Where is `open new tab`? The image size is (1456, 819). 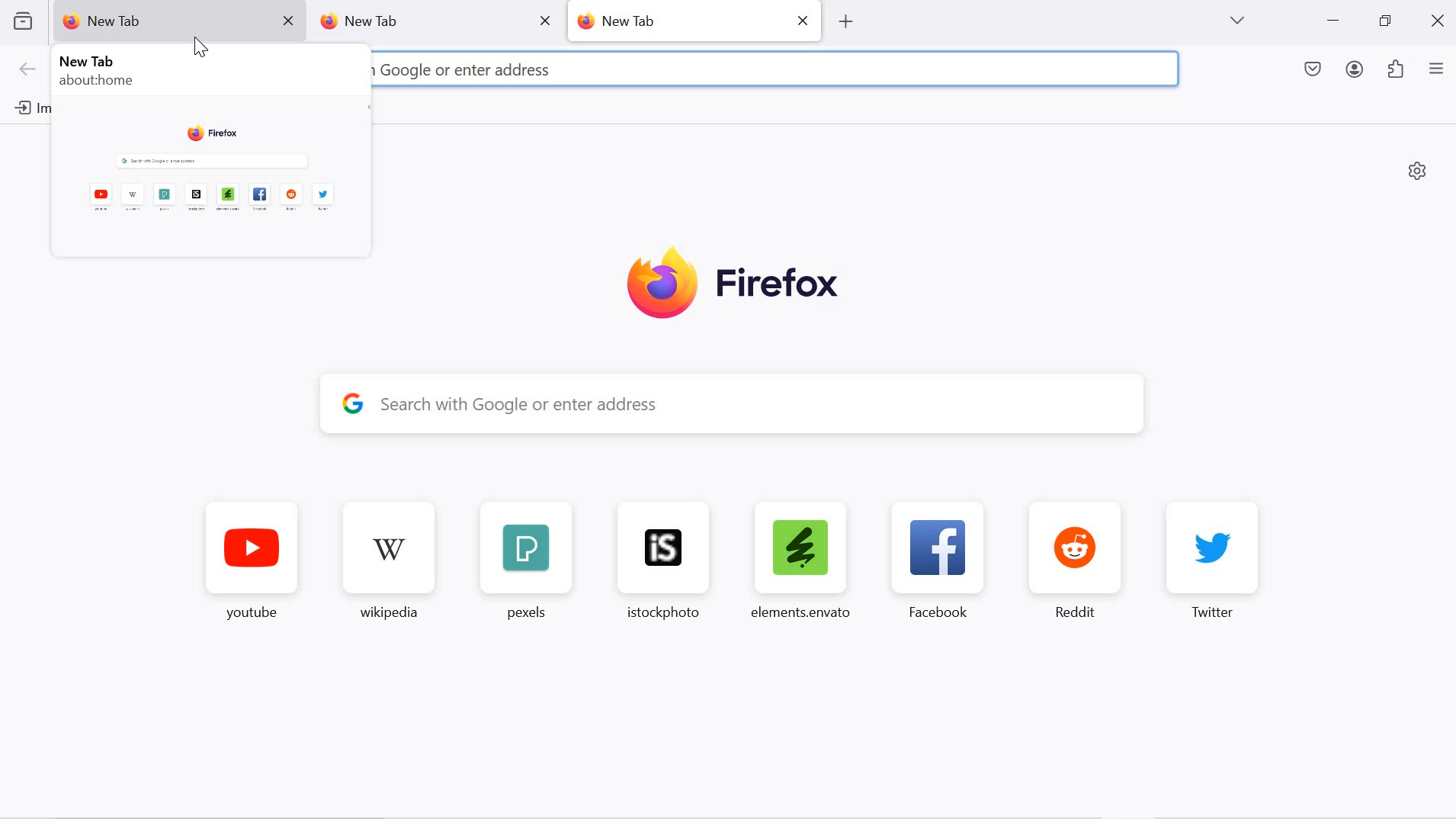
open new tab is located at coordinates (844, 21).